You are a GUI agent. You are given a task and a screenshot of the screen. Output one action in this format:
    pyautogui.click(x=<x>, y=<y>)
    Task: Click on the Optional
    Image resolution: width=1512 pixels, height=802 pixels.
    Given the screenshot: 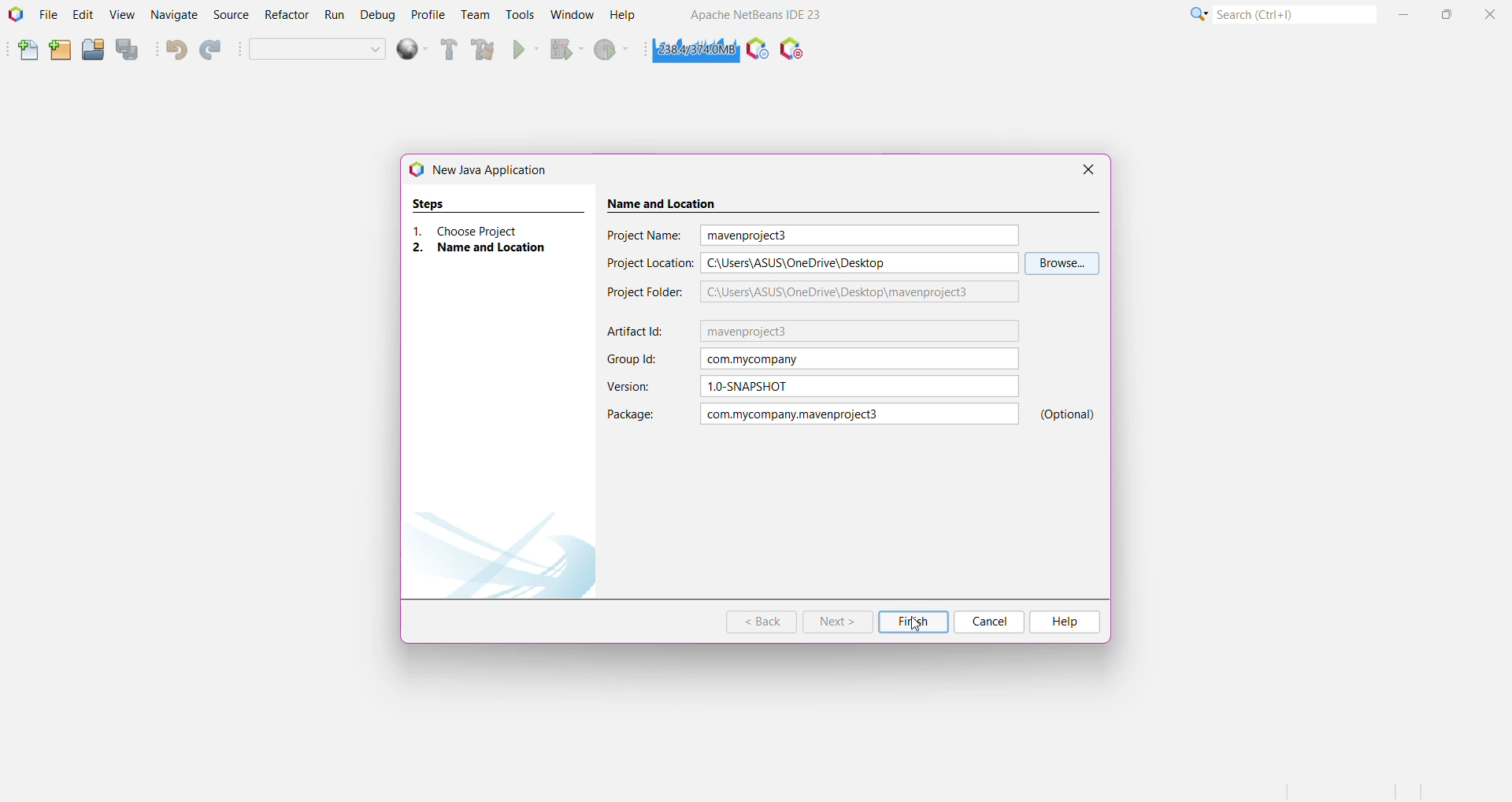 What is the action you would take?
    pyautogui.click(x=1069, y=414)
    